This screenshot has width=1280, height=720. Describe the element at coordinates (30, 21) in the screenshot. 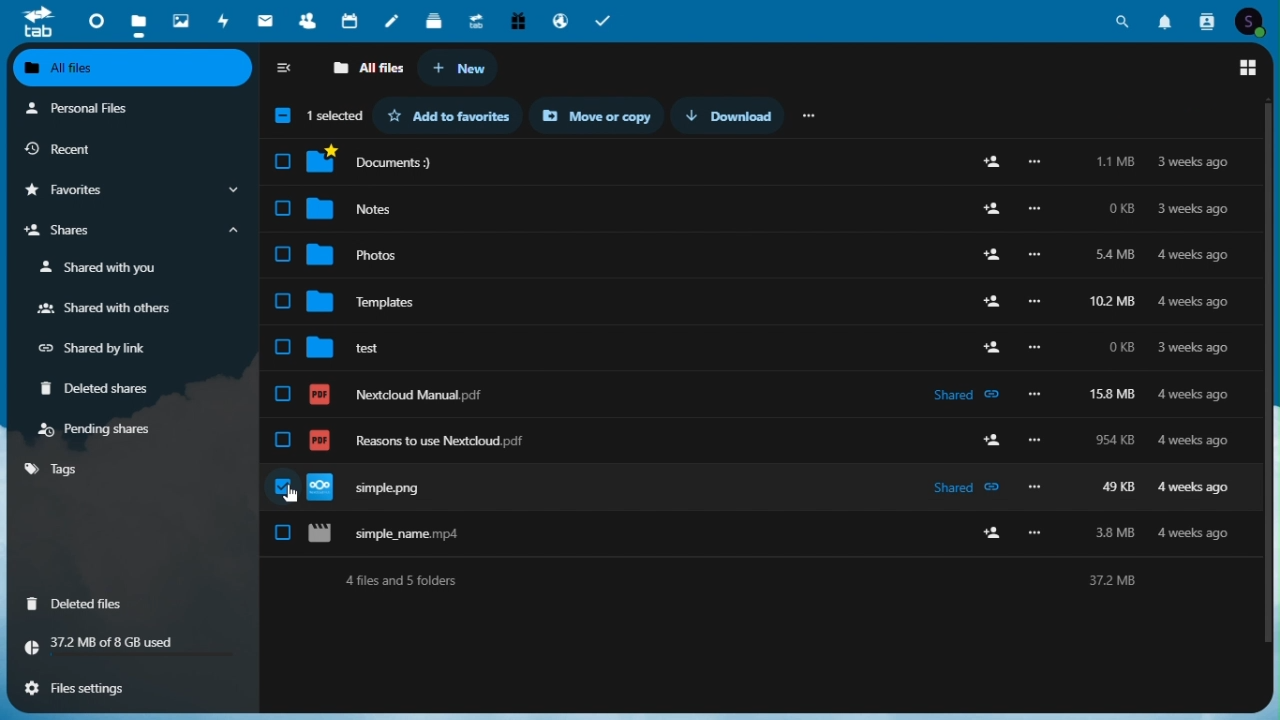

I see `tab` at that location.